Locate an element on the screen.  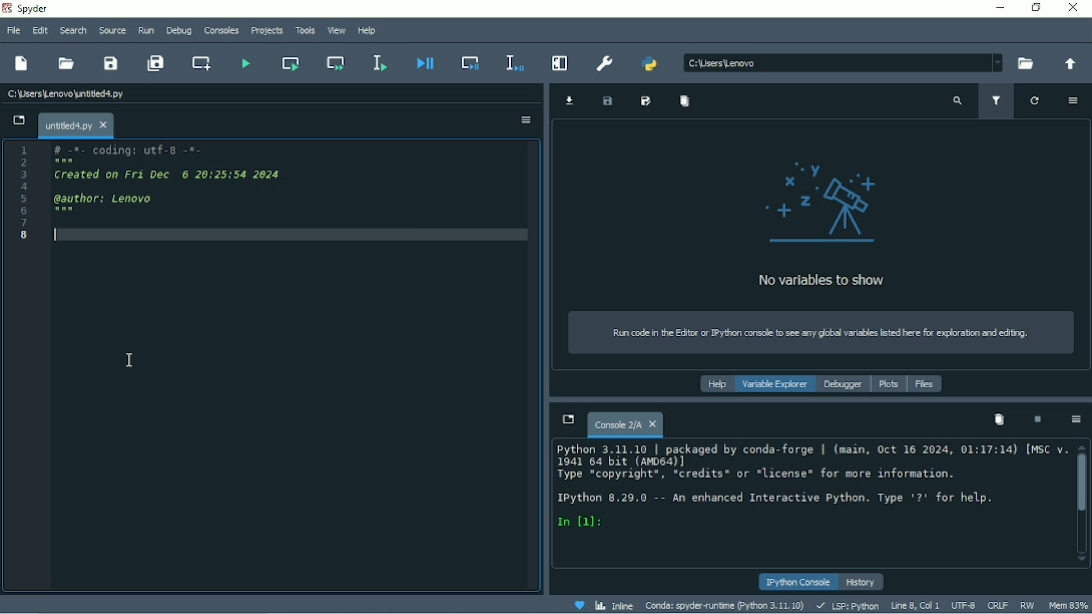
File is located at coordinates (12, 31).